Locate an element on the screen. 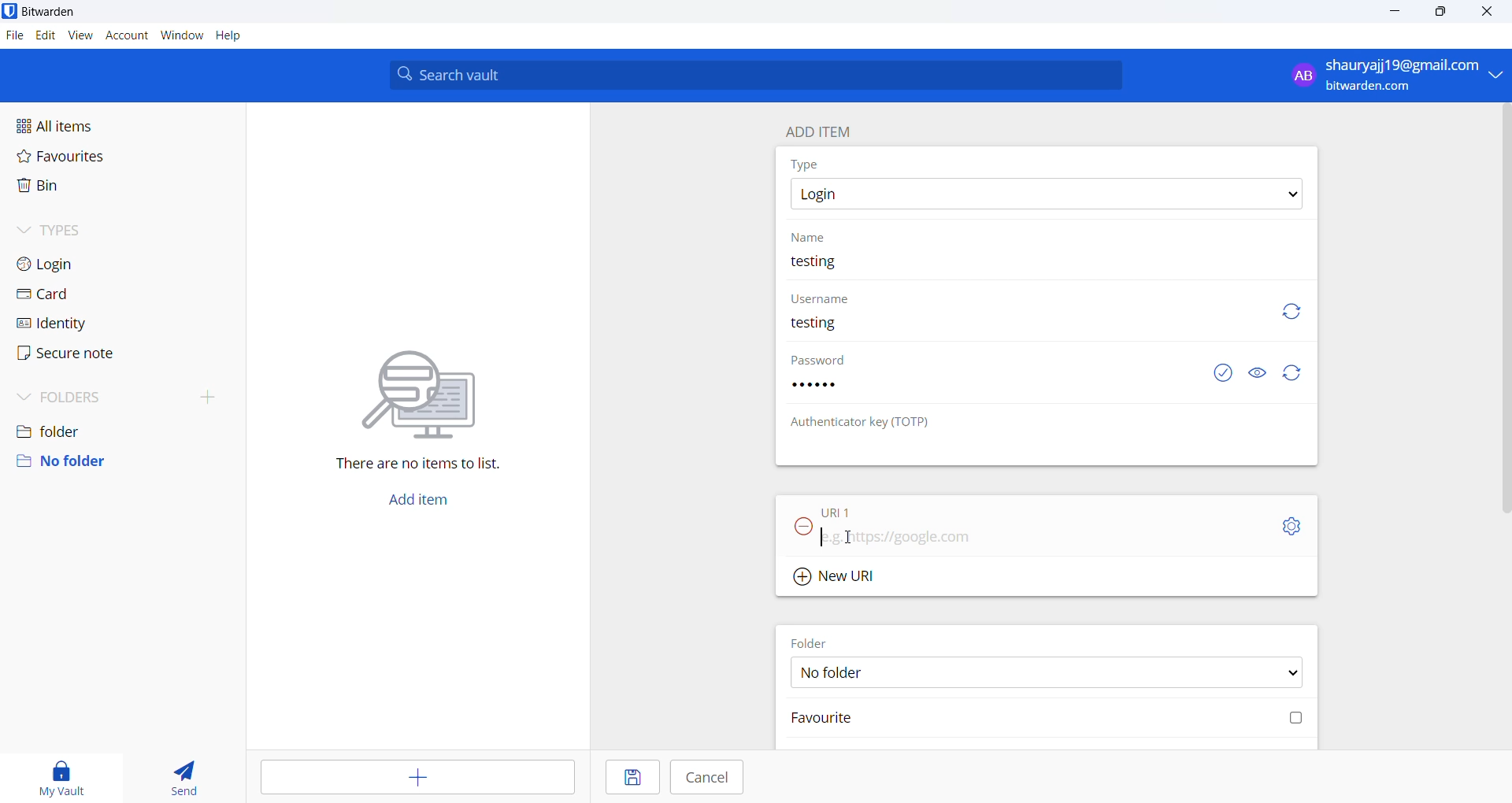 This screenshot has height=803, width=1512. vertical scrollbar is located at coordinates (1503, 309).